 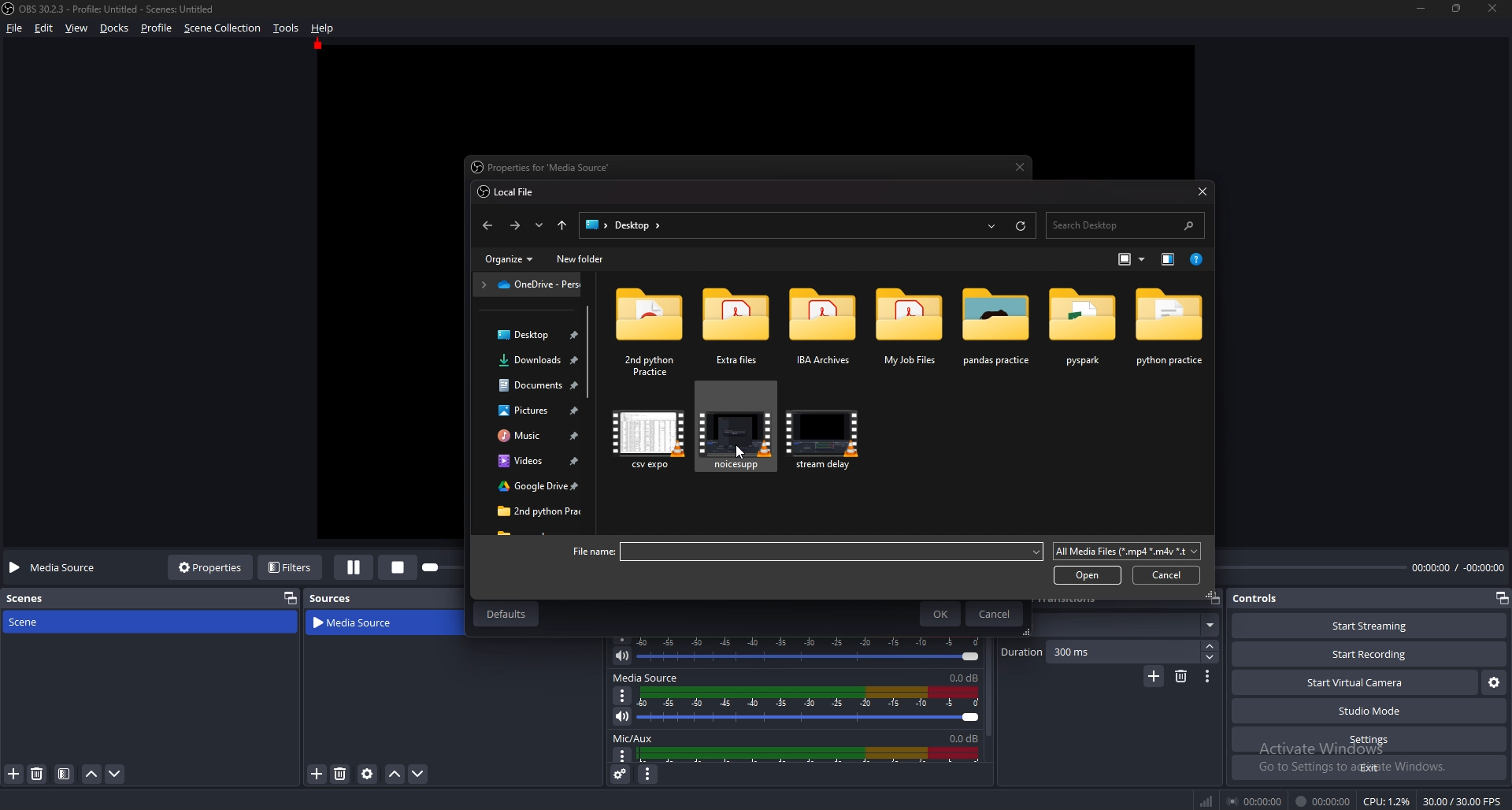 What do you see at coordinates (1457, 7) in the screenshot?
I see `Resize` at bounding box center [1457, 7].